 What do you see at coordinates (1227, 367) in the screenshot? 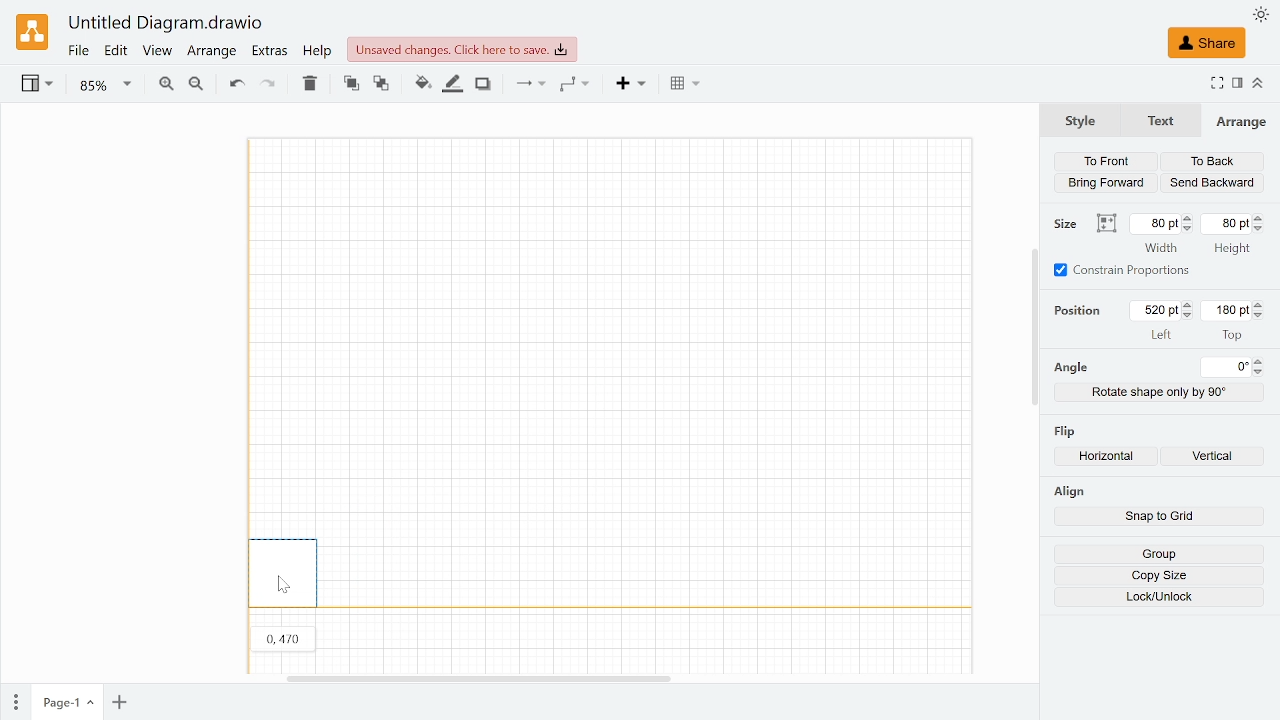
I see `Current angle` at bounding box center [1227, 367].